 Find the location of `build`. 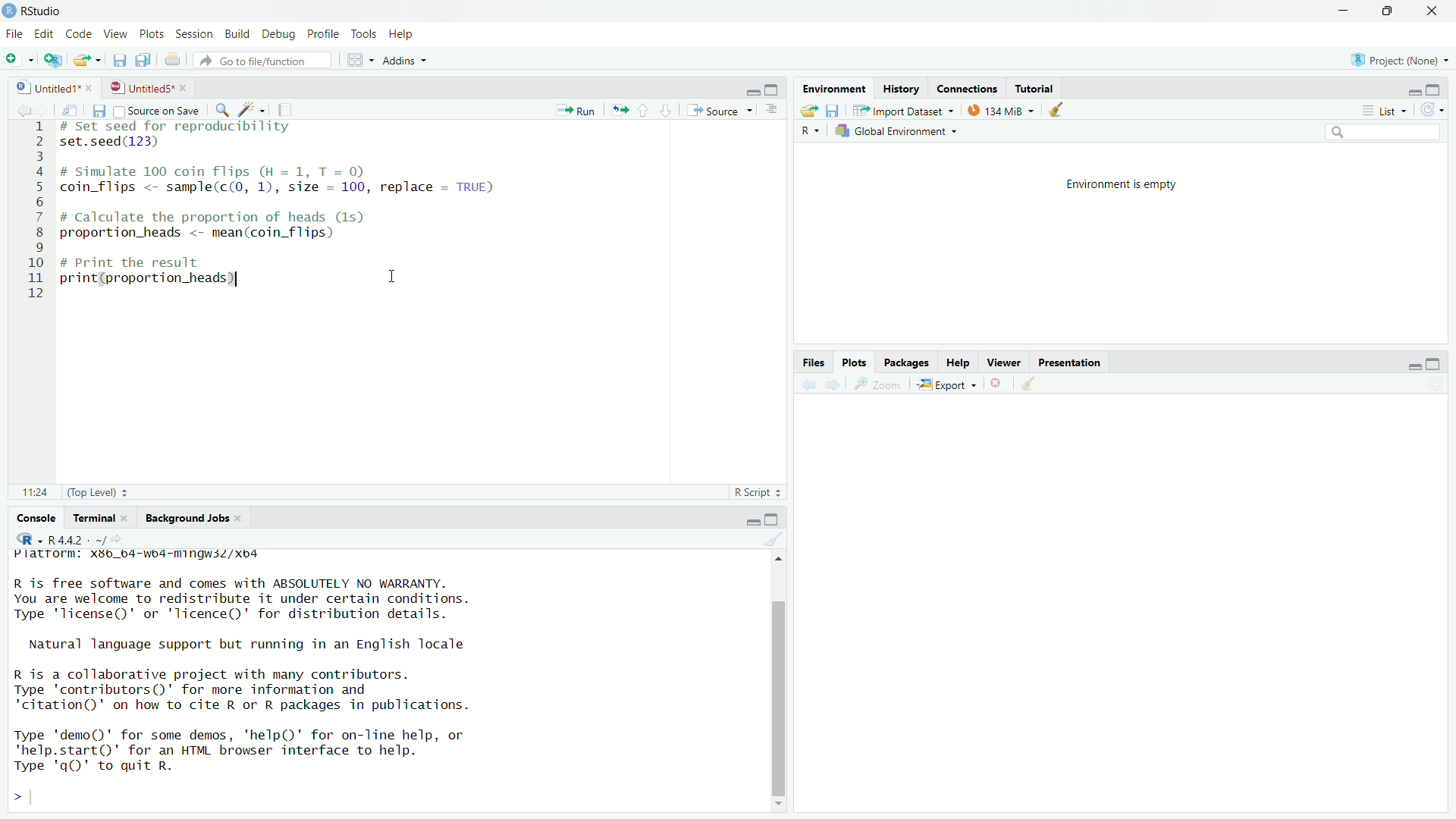

build is located at coordinates (240, 33).